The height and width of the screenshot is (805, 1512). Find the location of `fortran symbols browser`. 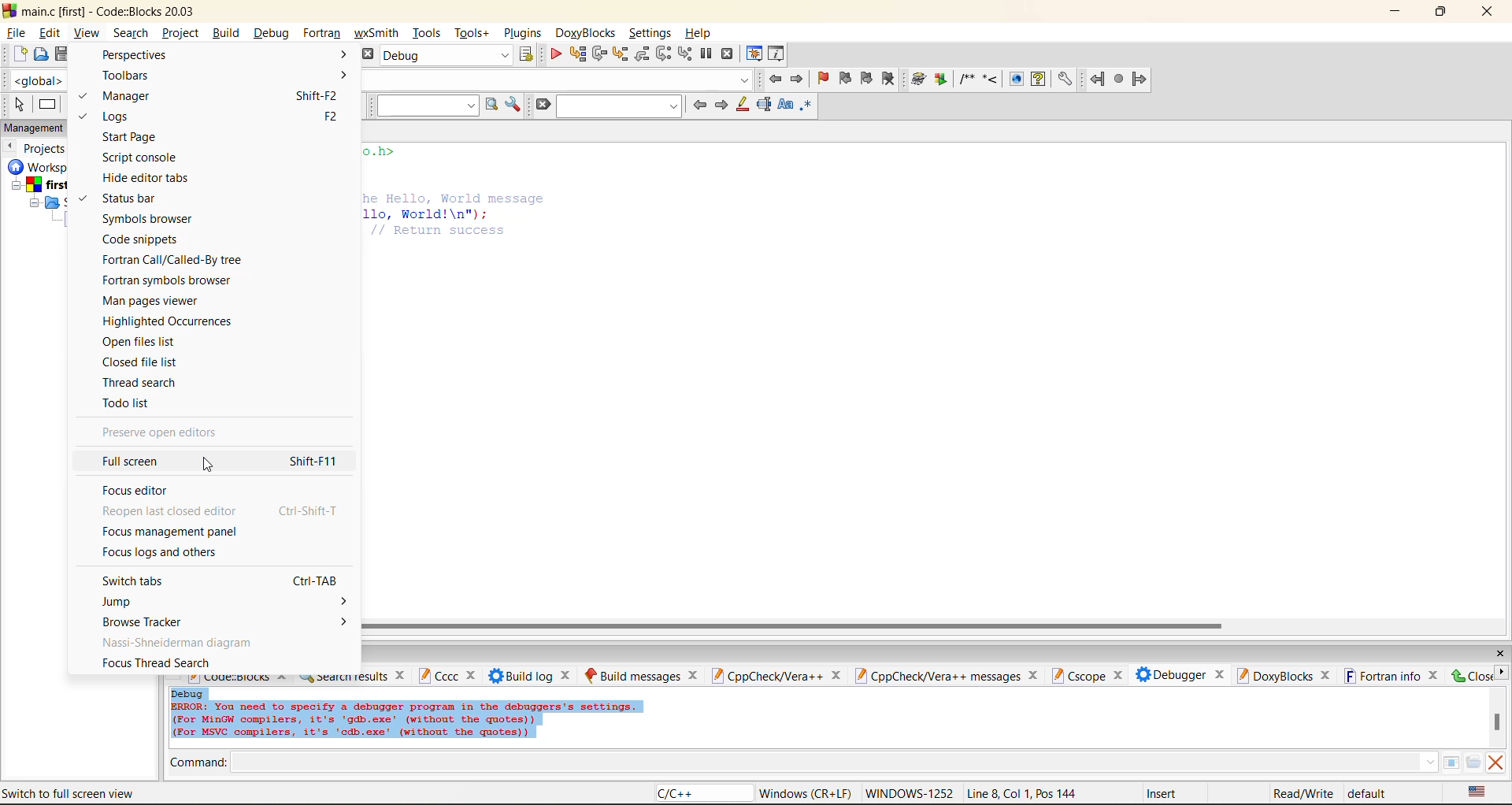

fortran symbols browser is located at coordinates (170, 281).